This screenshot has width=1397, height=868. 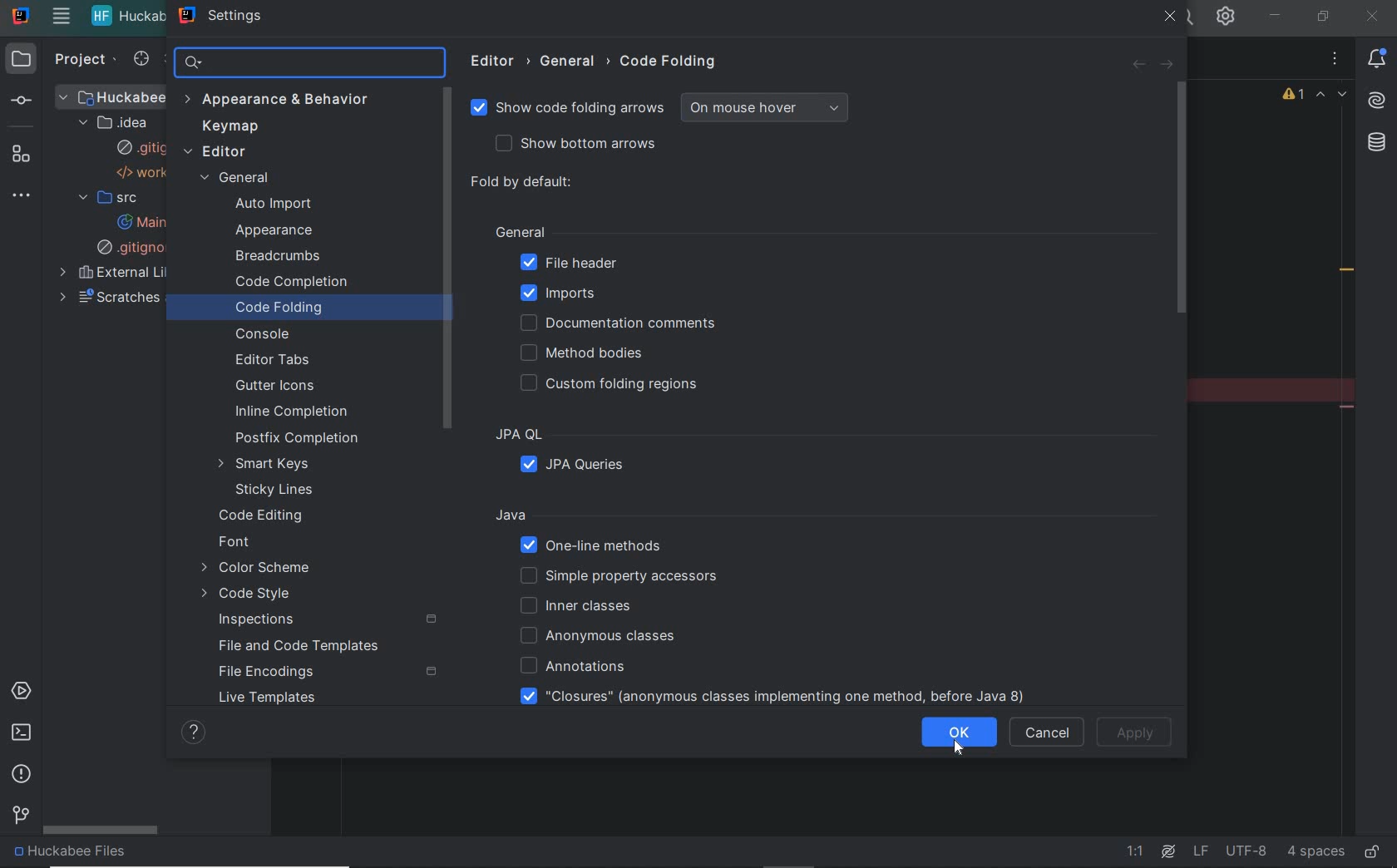 What do you see at coordinates (295, 437) in the screenshot?
I see `postfix completion` at bounding box center [295, 437].